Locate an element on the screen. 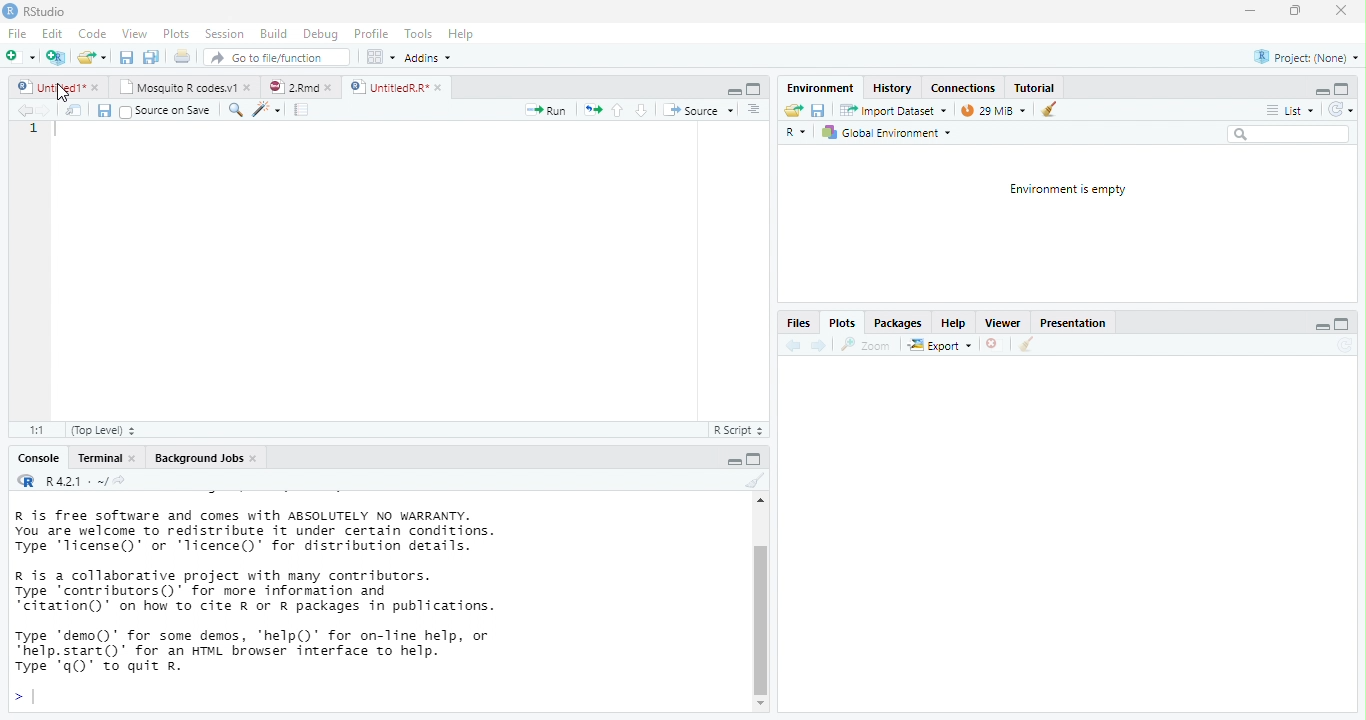  Plots is located at coordinates (840, 325).